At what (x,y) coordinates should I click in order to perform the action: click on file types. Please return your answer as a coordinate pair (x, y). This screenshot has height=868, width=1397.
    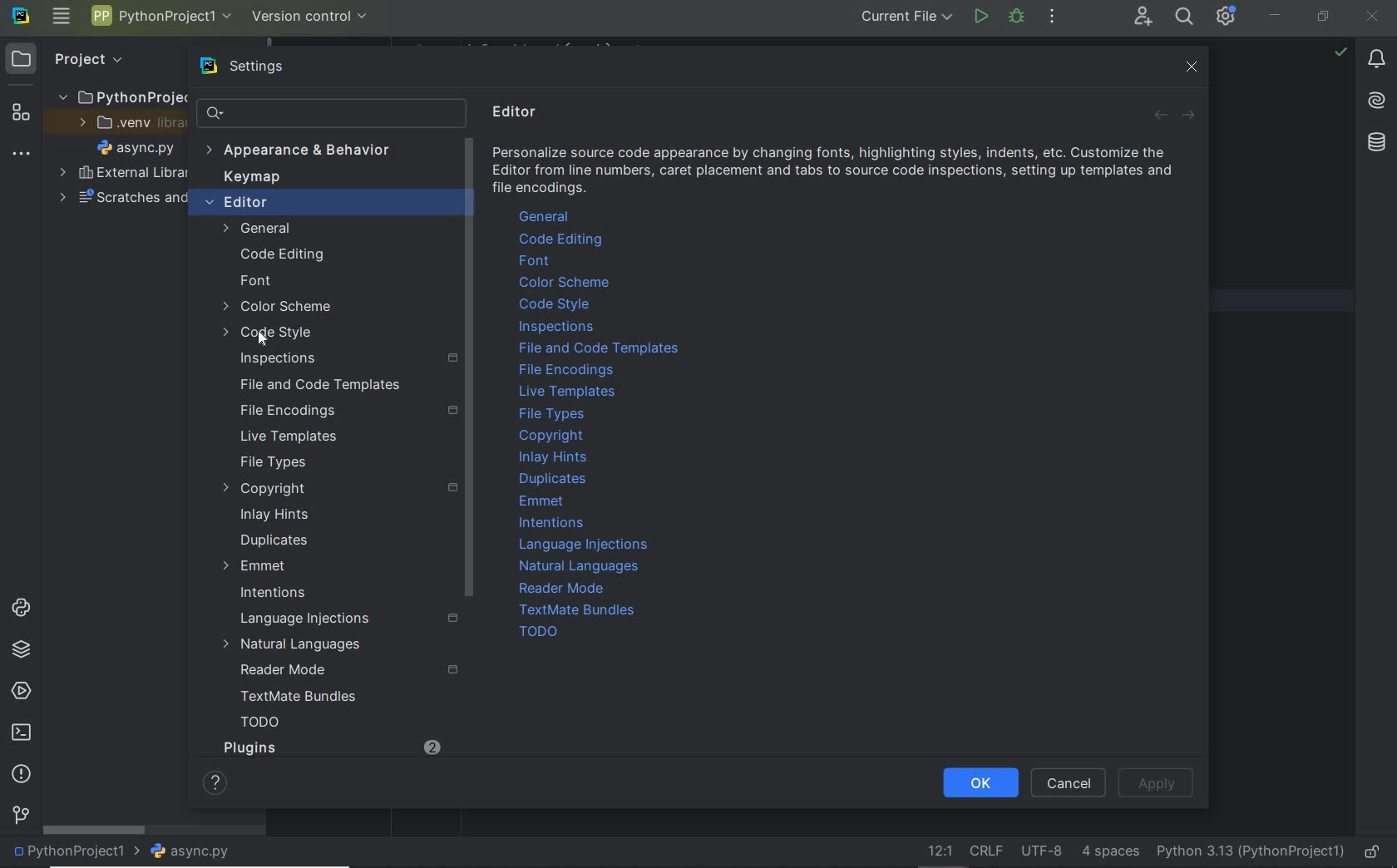
    Looking at the image, I should click on (556, 414).